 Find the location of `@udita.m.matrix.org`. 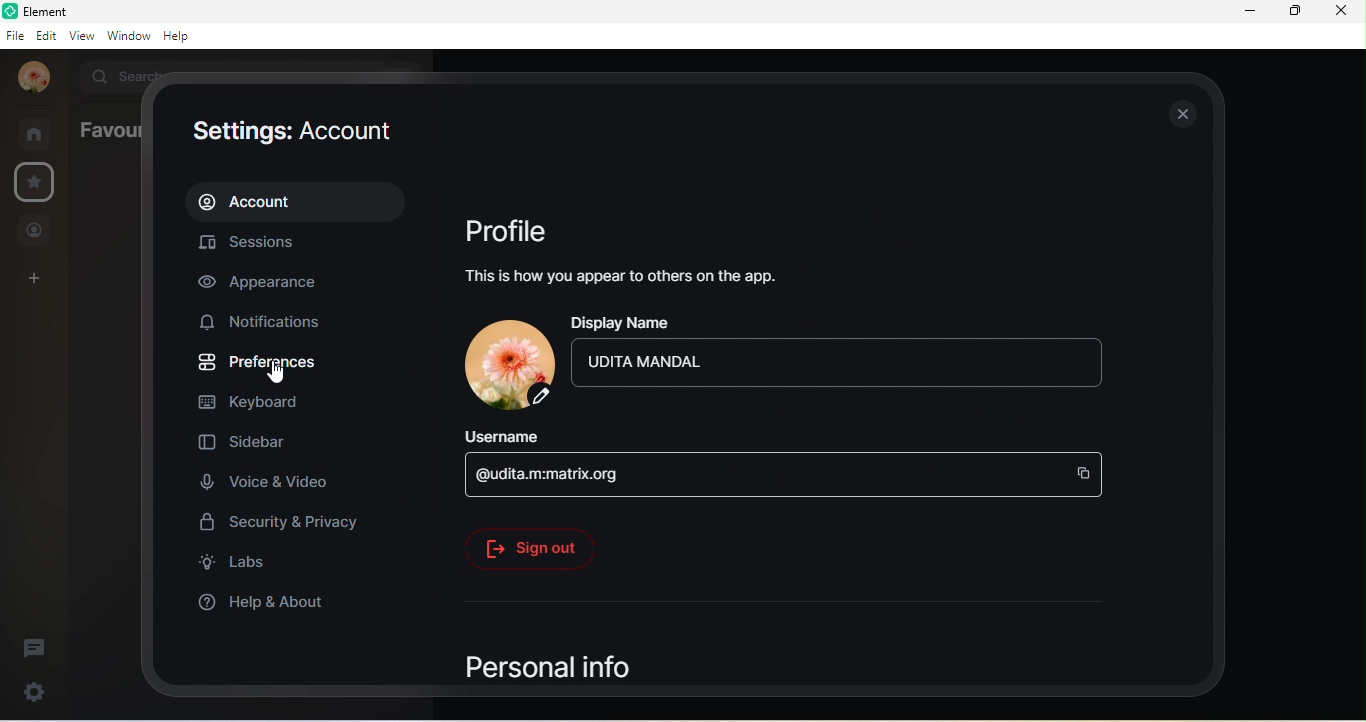

@udita.m.matrix.org is located at coordinates (788, 479).